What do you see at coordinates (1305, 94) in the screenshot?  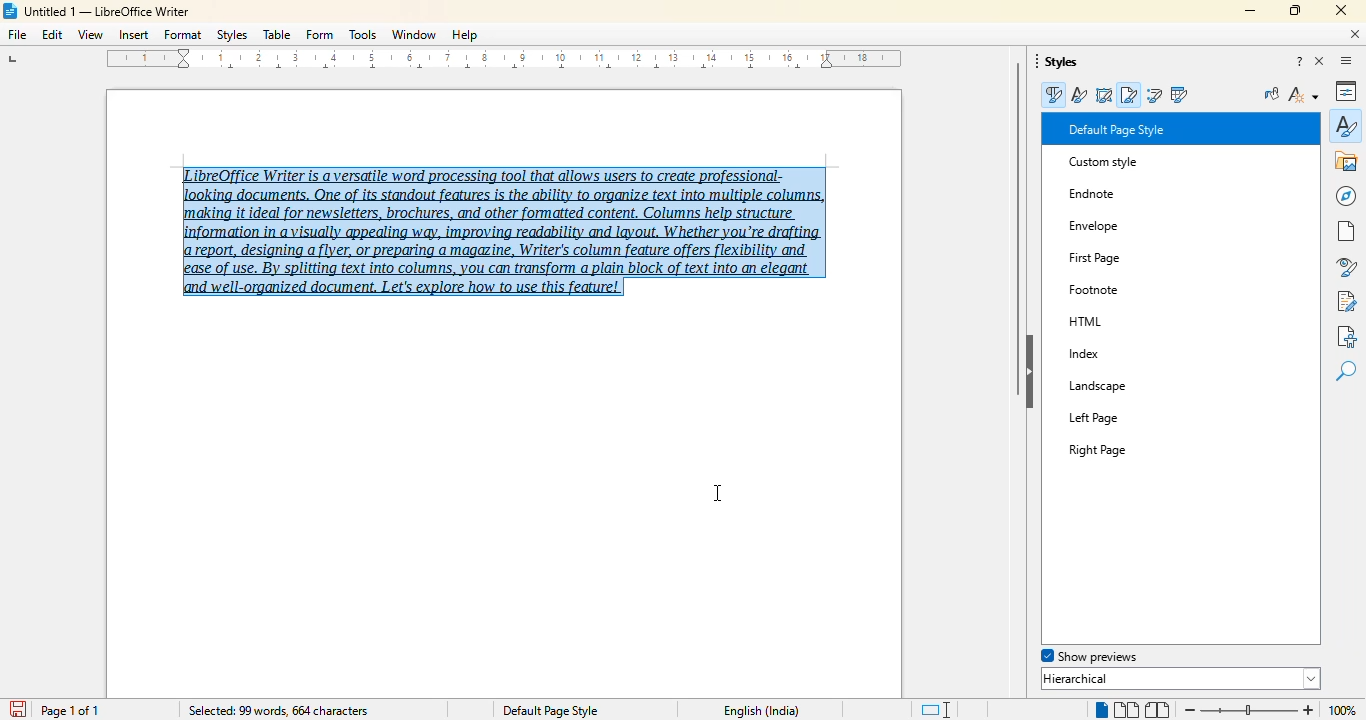 I see `styles action` at bounding box center [1305, 94].